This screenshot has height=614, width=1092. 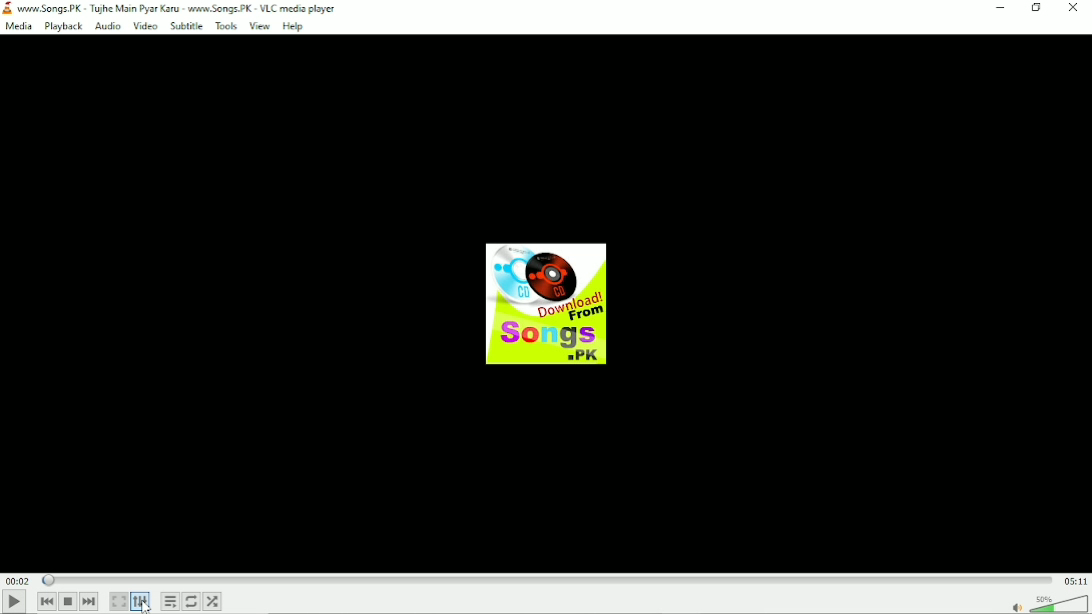 I want to click on Cursor, so click(x=147, y=607).